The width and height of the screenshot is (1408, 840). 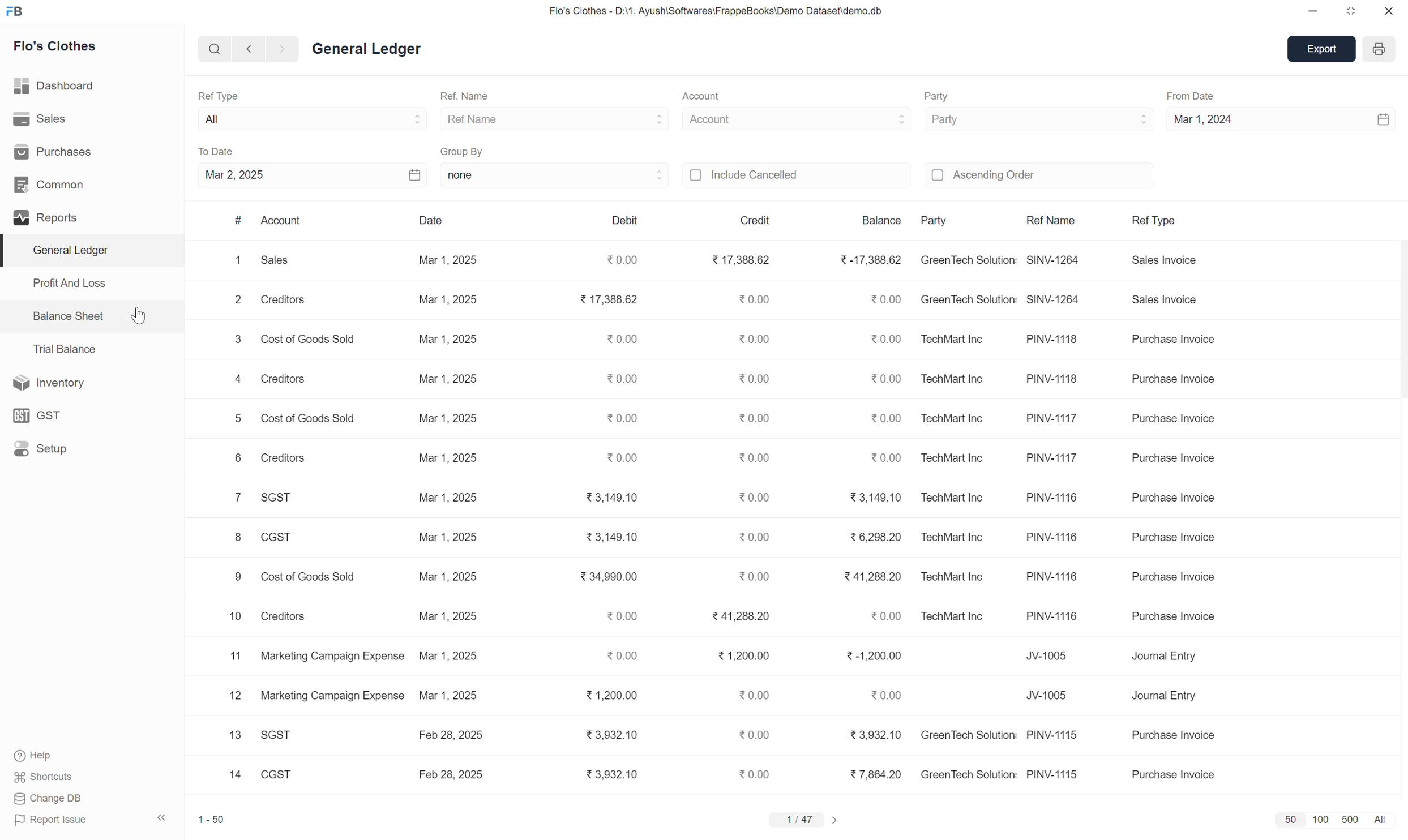 I want to click on 50, so click(x=1291, y=818).